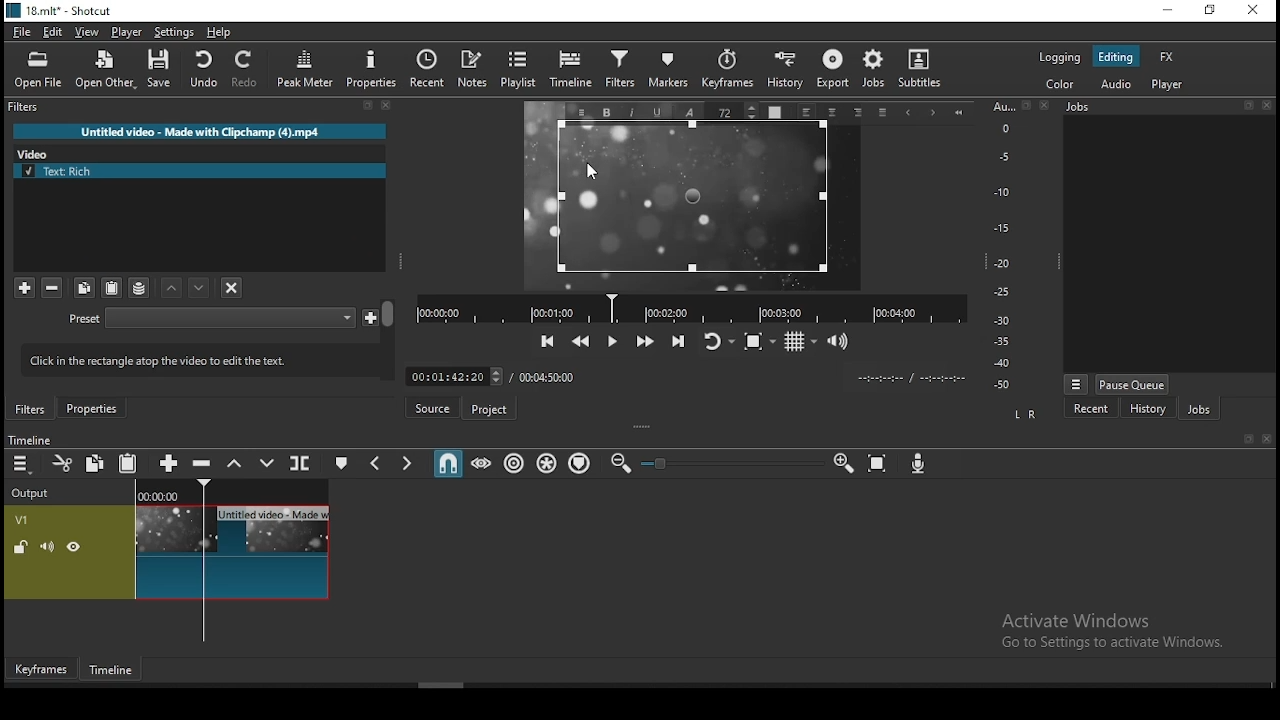 Image resolution: width=1280 pixels, height=720 pixels. I want to click on Untitled video - Made with Clipchamp (4).mp4, so click(200, 131).